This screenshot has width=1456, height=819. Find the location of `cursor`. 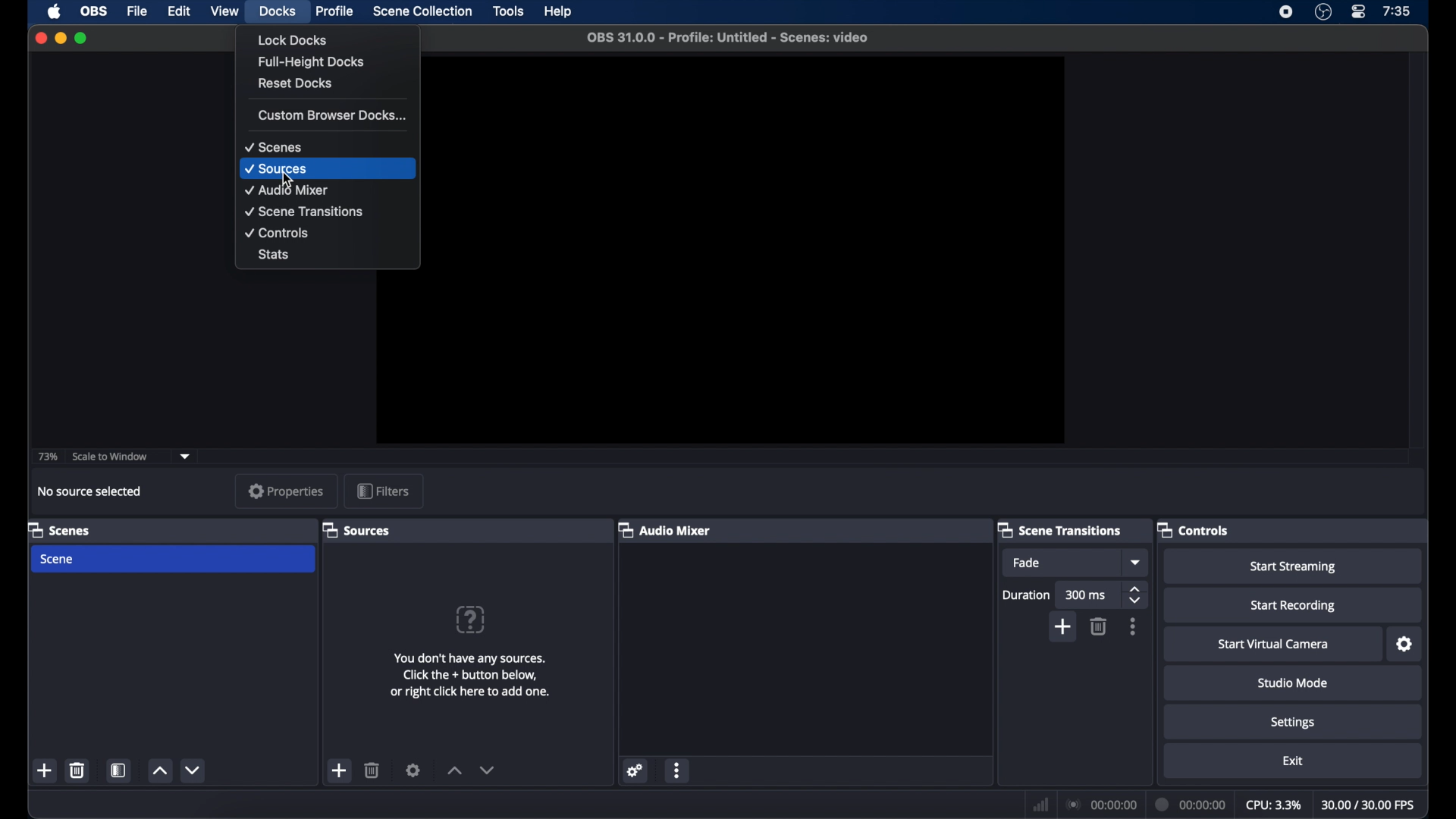

cursor is located at coordinates (288, 178).